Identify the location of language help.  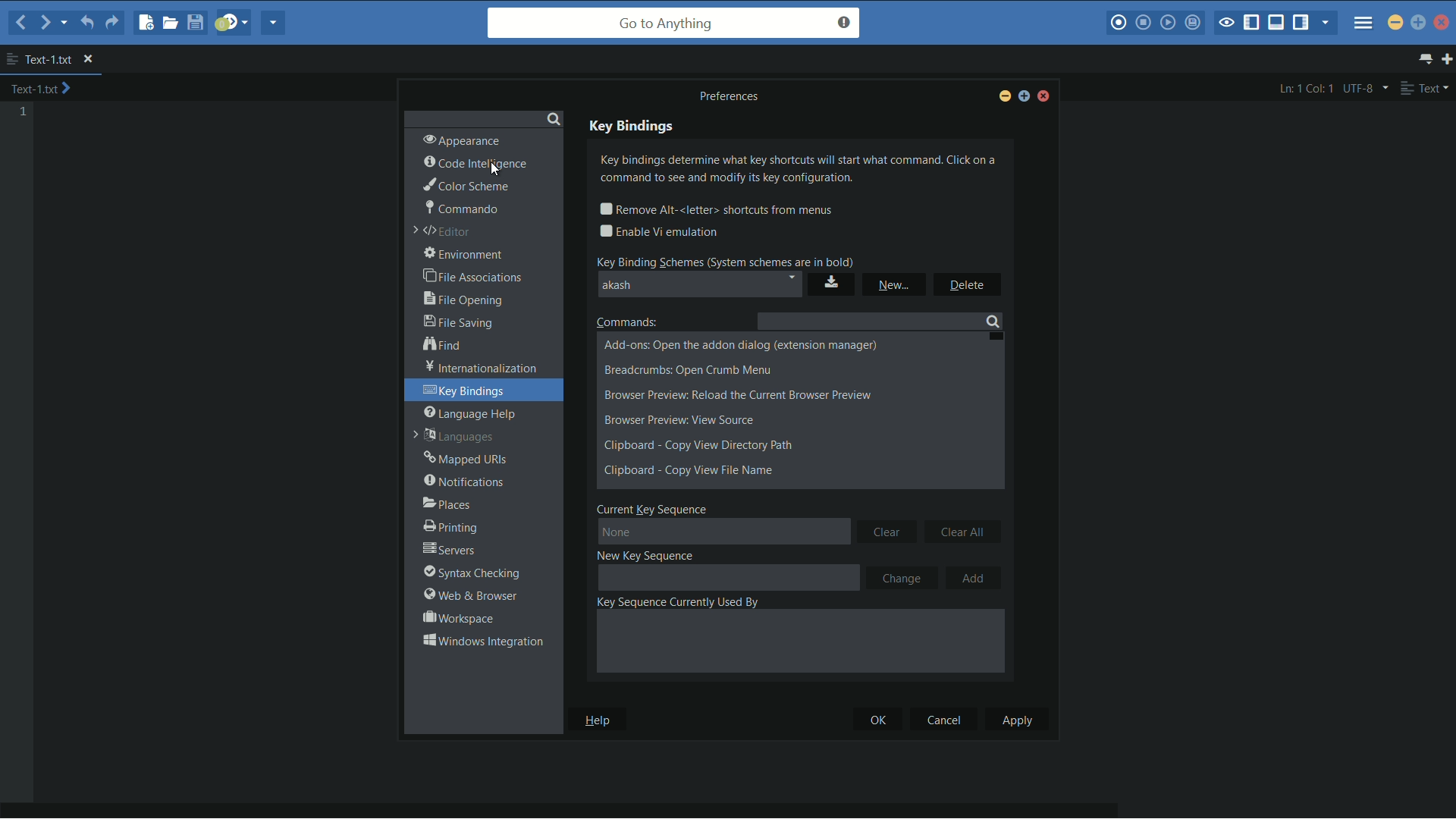
(470, 413).